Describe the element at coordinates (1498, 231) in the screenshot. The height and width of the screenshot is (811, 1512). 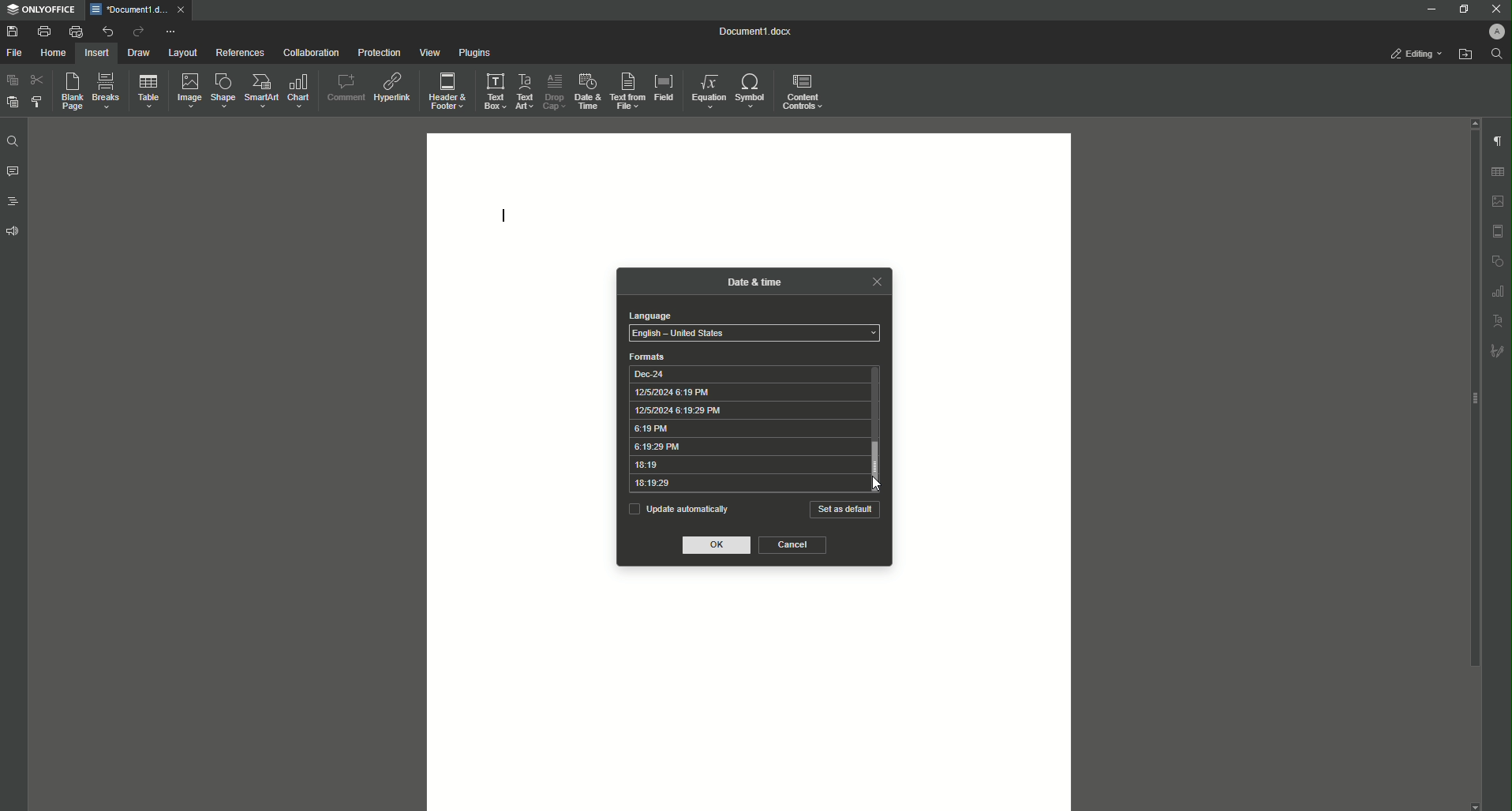
I see `header and footer settings` at that location.